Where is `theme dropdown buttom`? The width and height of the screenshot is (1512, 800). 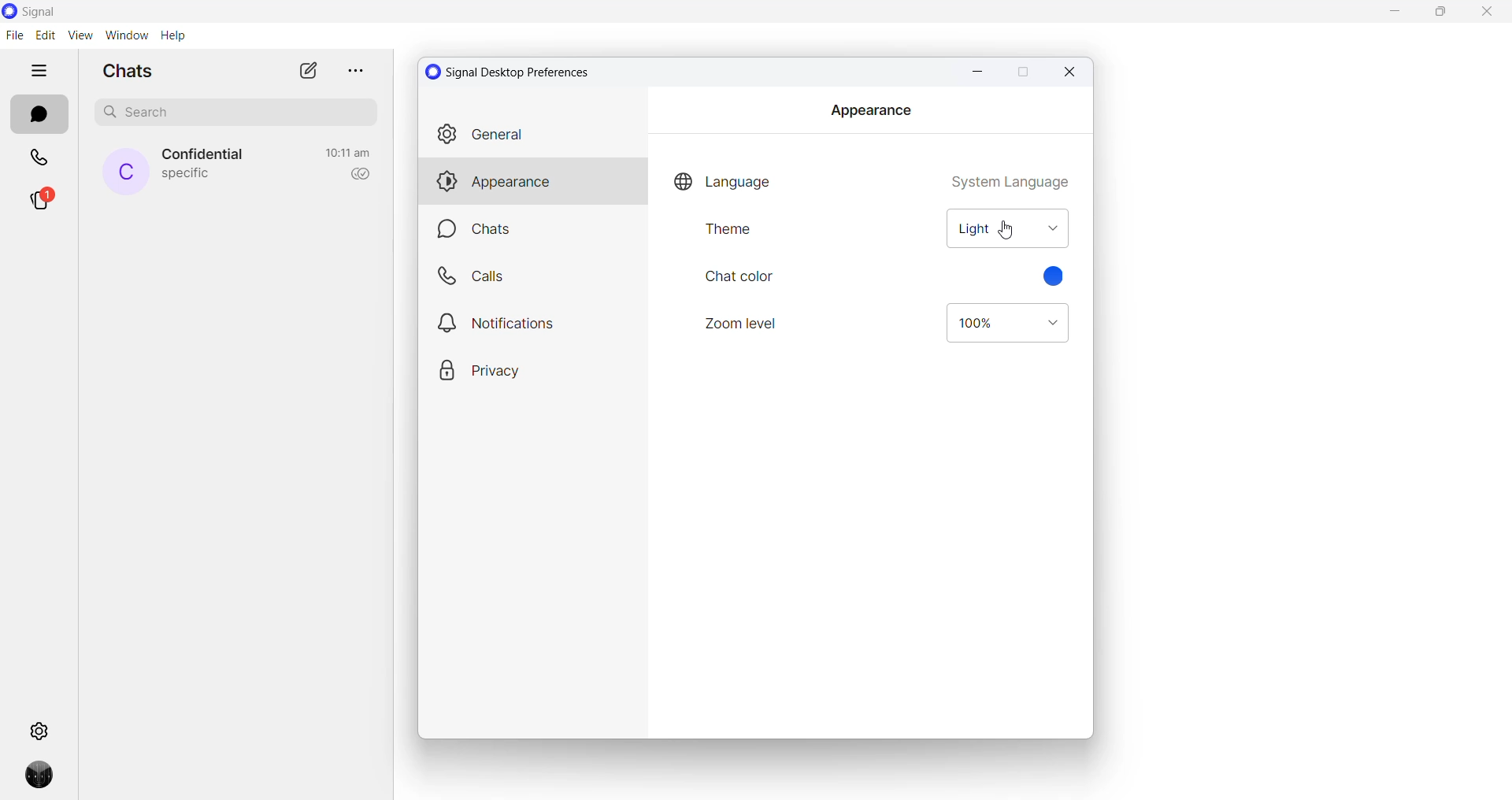
theme dropdown buttom is located at coordinates (1010, 229).